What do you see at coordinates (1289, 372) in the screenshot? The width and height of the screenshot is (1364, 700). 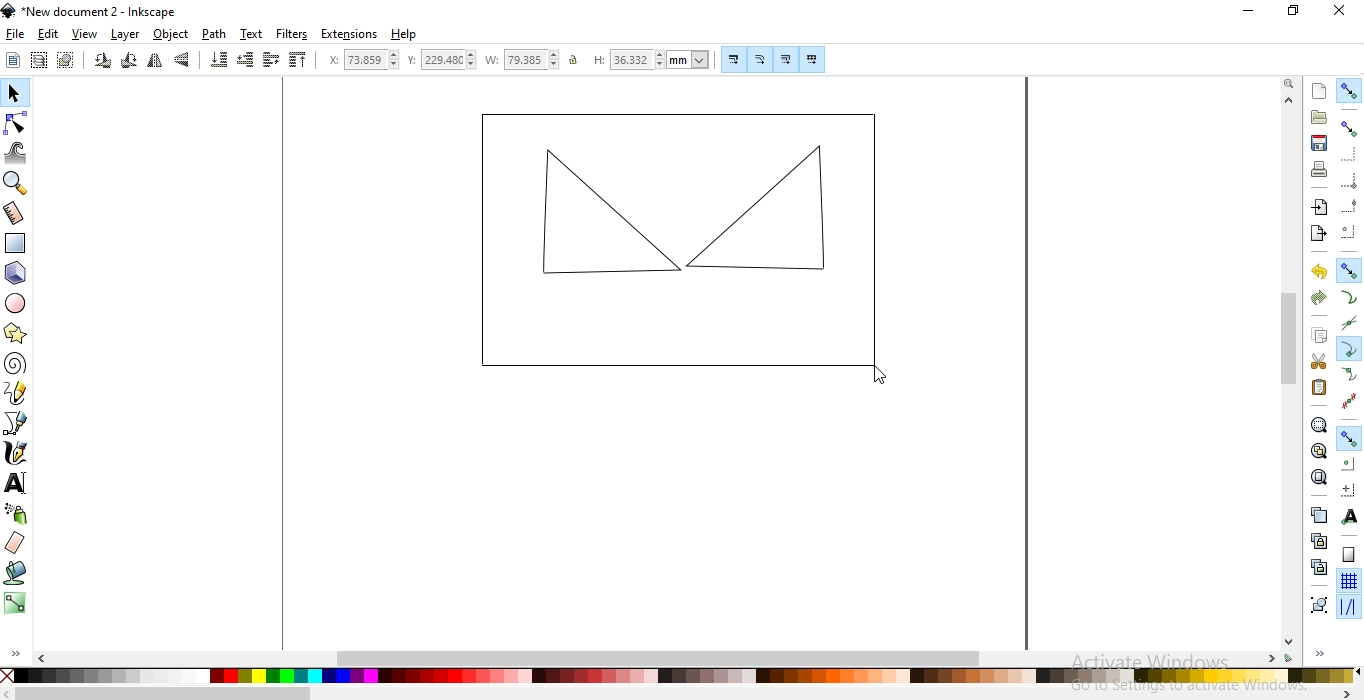 I see `scrollbar` at bounding box center [1289, 372].